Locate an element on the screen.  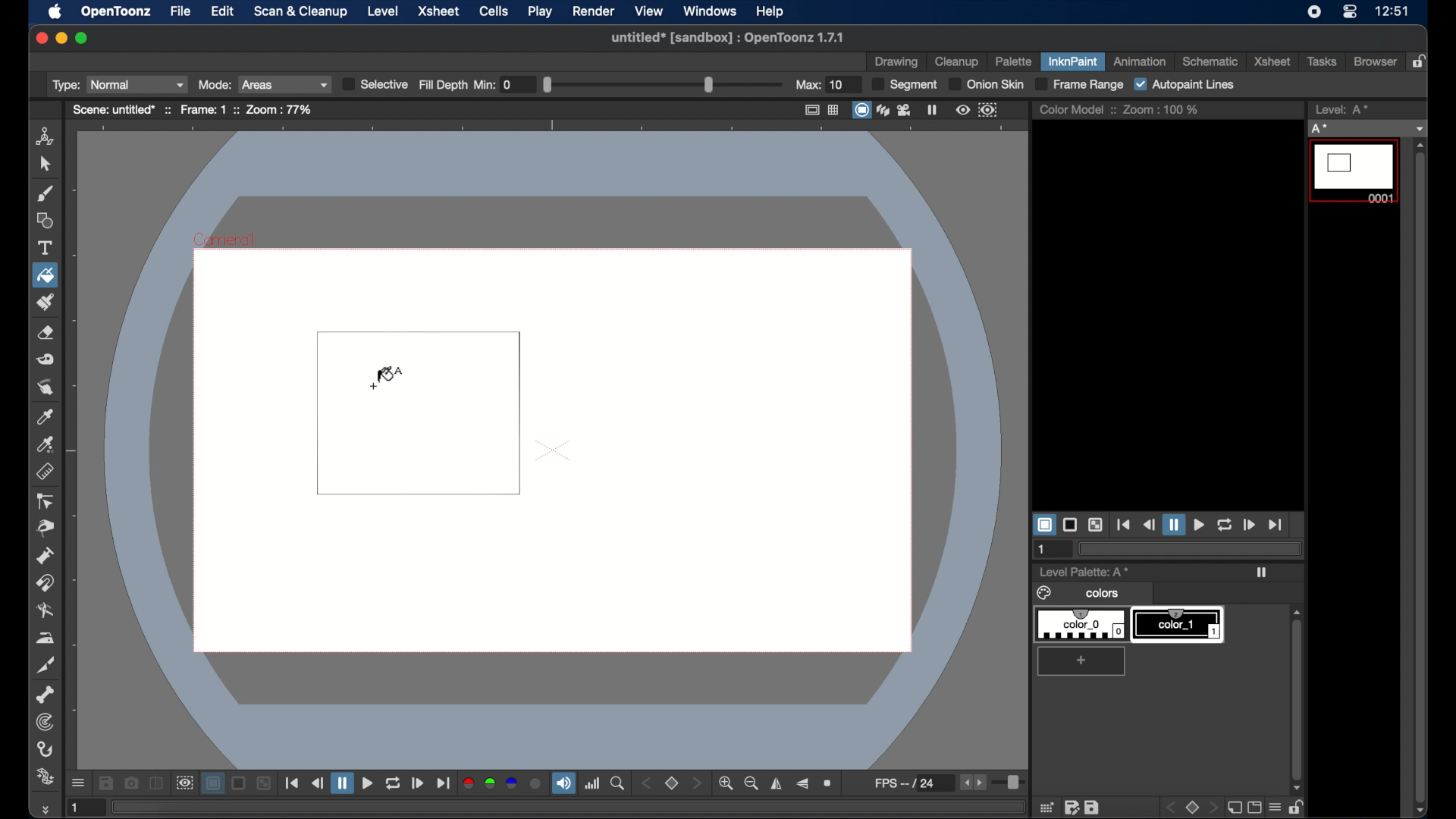
3dview is located at coordinates (884, 111).